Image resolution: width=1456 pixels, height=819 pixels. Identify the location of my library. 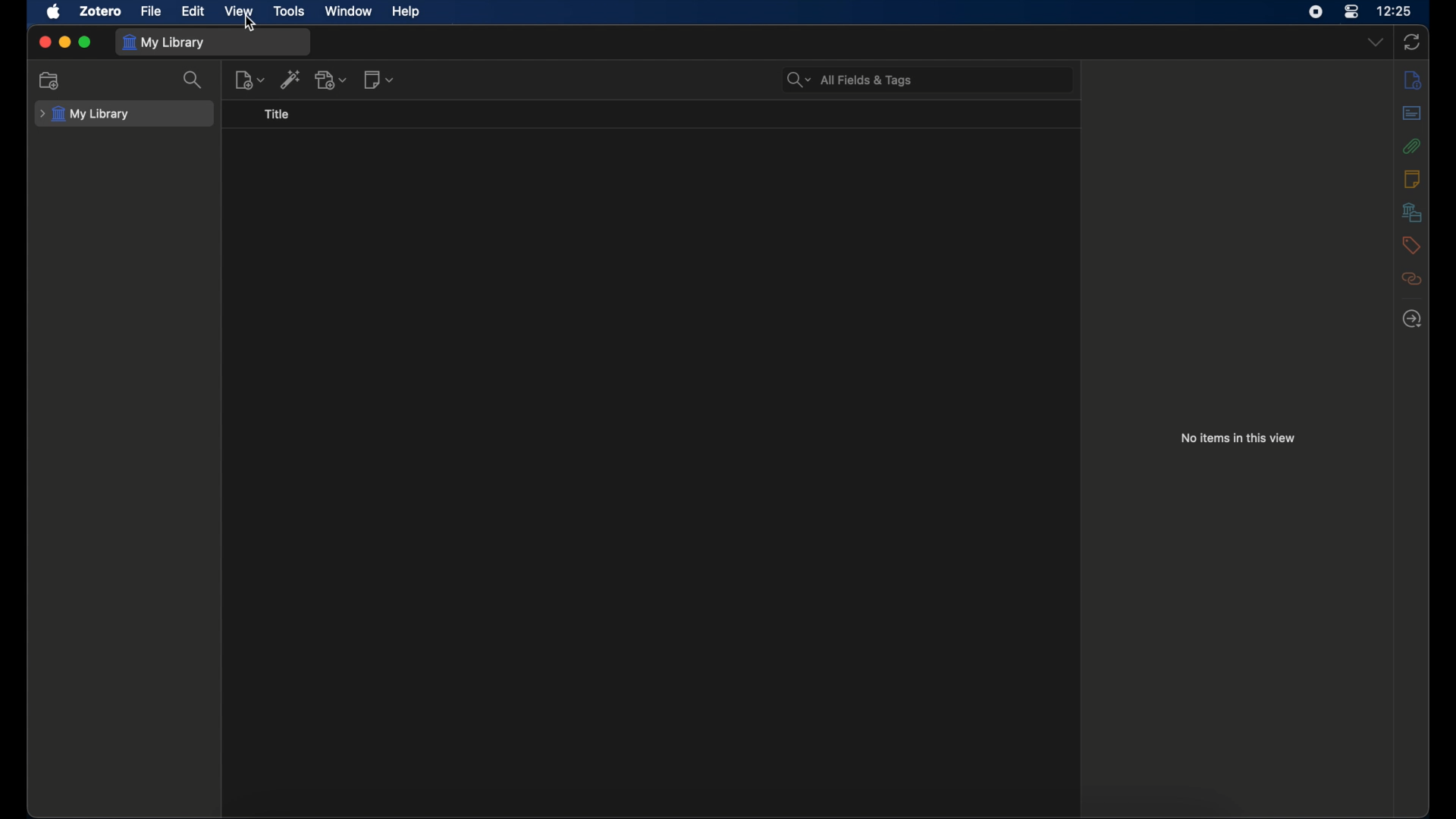
(85, 115).